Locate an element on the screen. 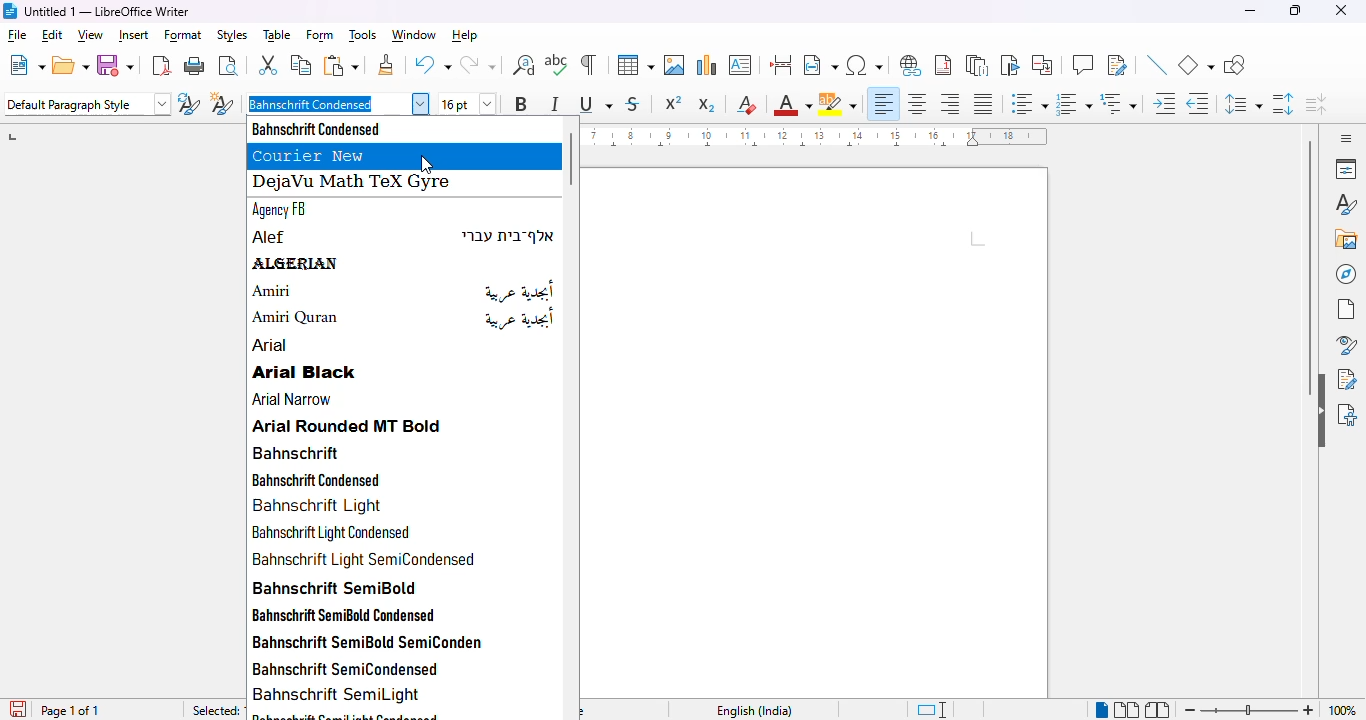  insert text box is located at coordinates (740, 65).